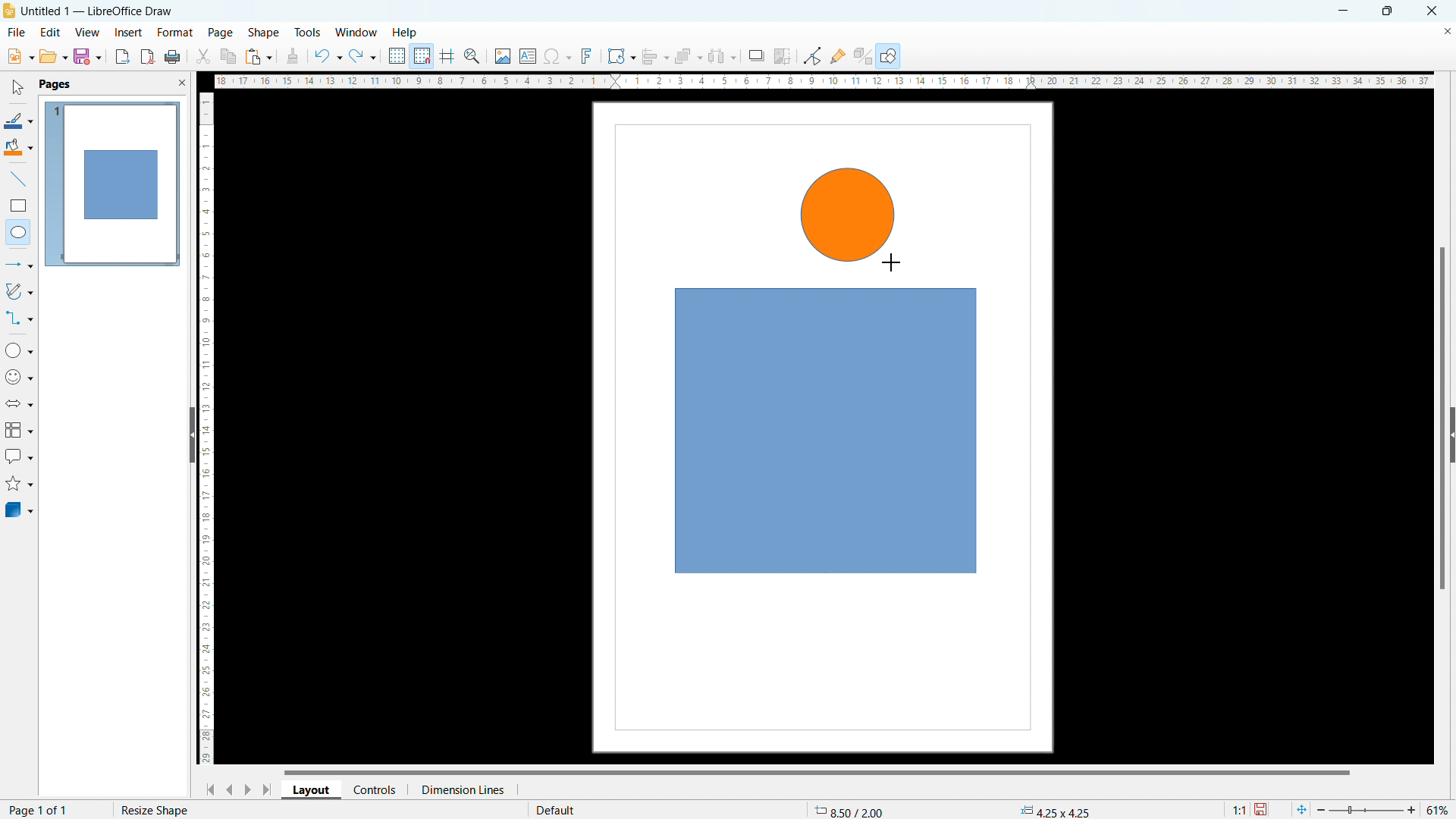 This screenshot has width=1456, height=819. I want to click on minimize, so click(1341, 10).